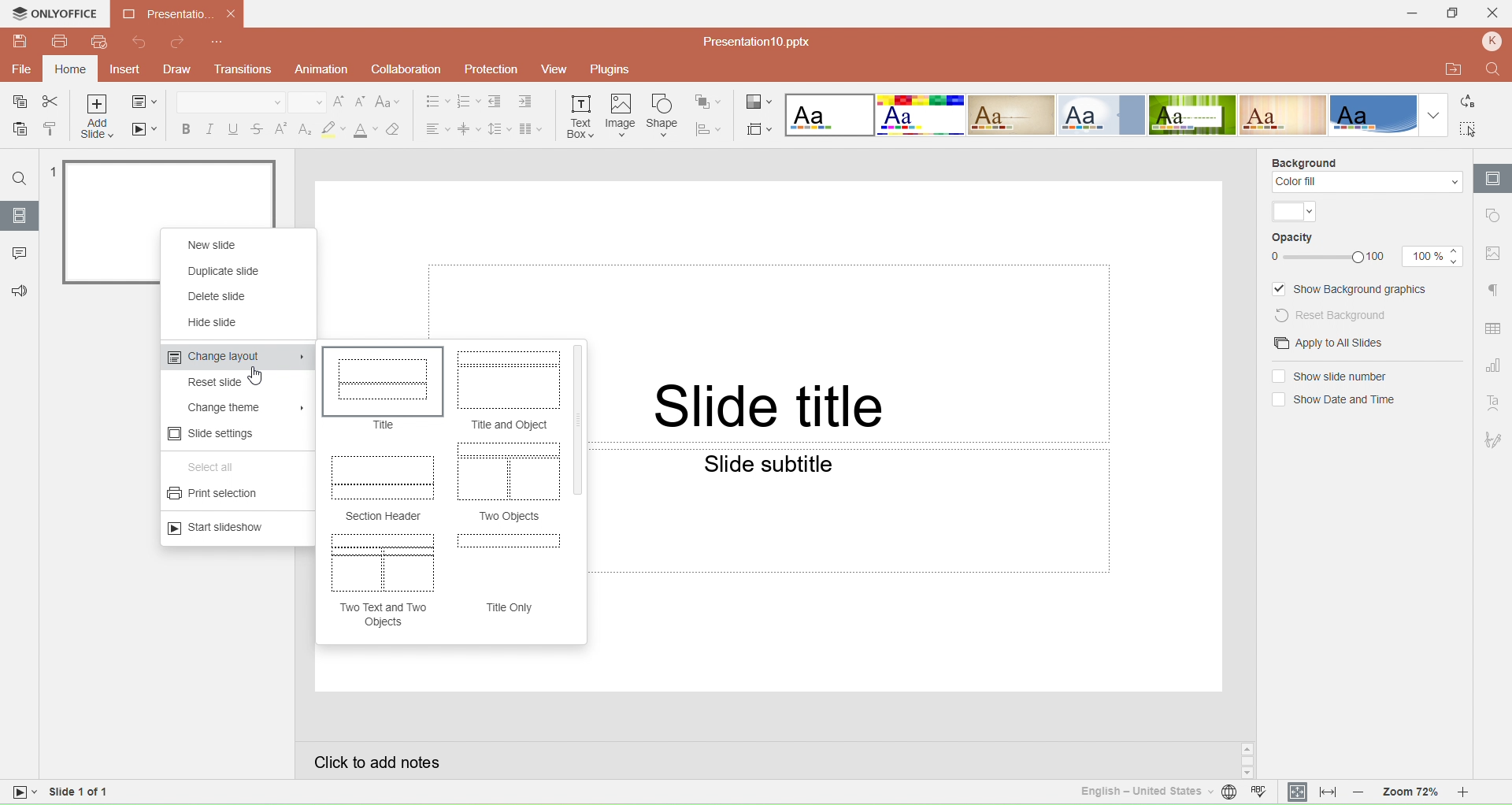  What do you see at coordinates (20, 43) in the screenshot?
I see `Save` at bounding box center [20, 43].